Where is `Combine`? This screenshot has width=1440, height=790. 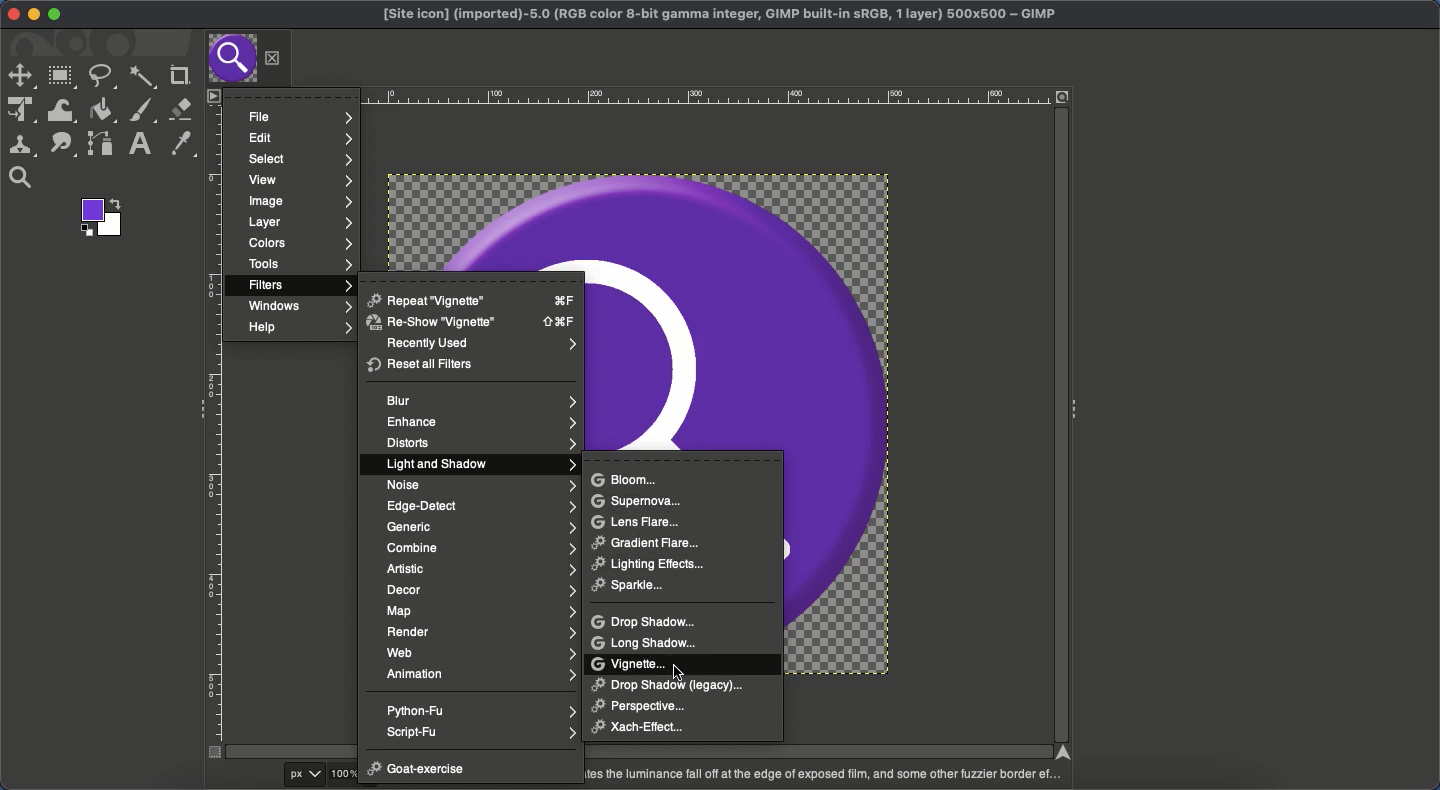 Combine is located at coordinates (481, 548).